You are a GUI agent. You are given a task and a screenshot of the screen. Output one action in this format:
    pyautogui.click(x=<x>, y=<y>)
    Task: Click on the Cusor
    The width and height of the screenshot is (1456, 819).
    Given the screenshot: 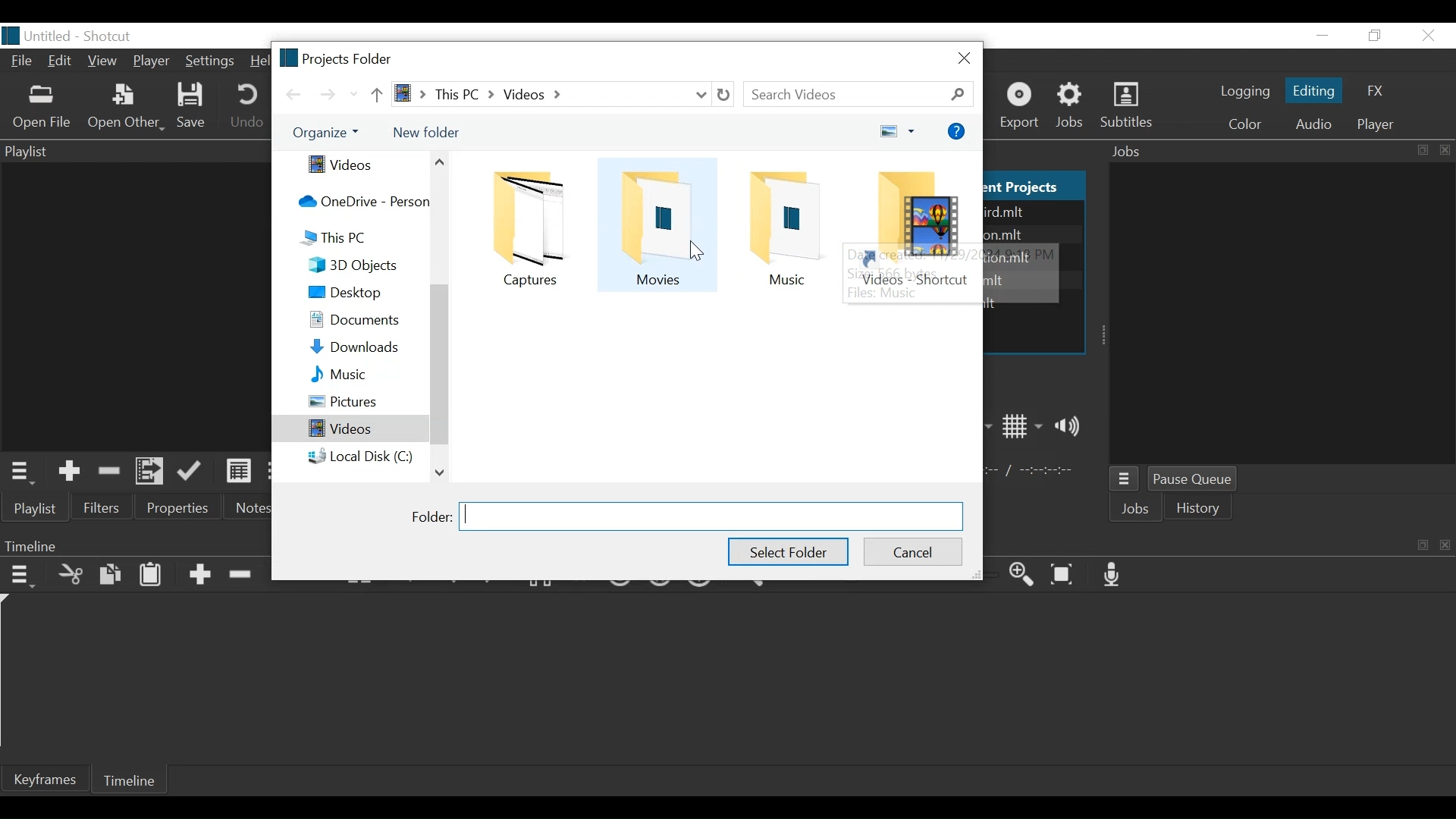 What is the action you would take?
    pyautogui.click(x=697, y=247)
    